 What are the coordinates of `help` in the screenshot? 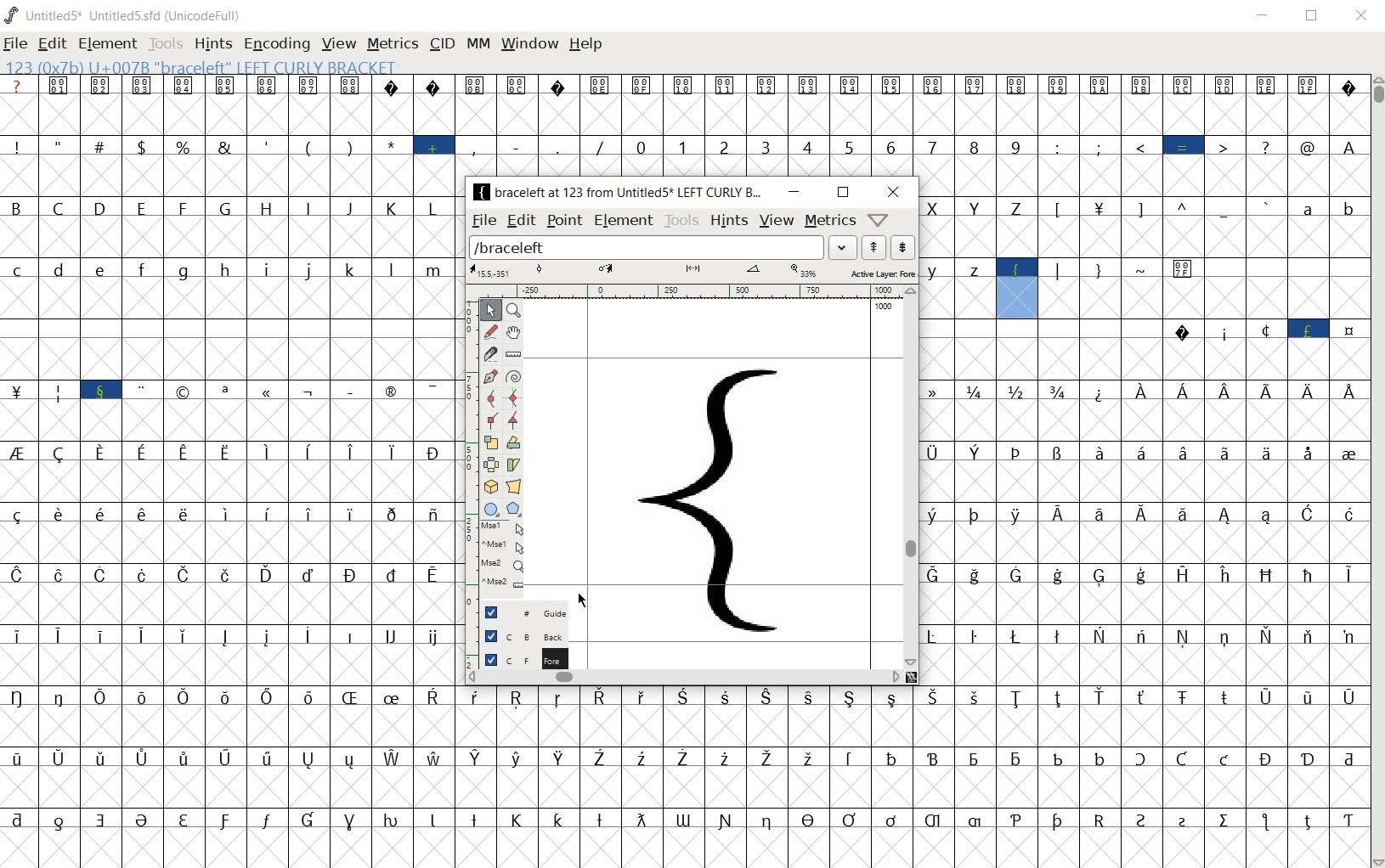 It's located at (585, 45).